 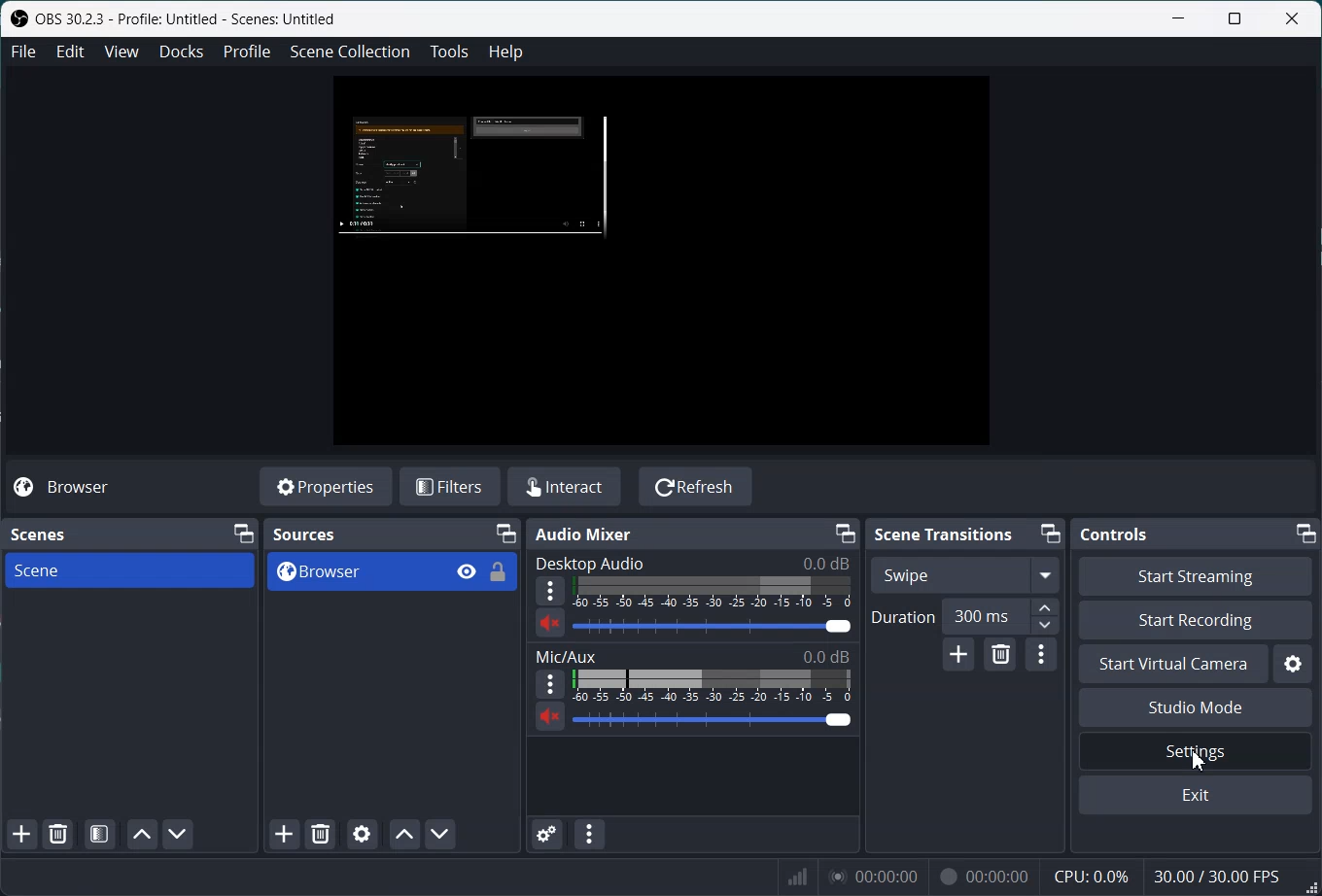 I want to click on 00:00:00, so click(x=873, y=874).